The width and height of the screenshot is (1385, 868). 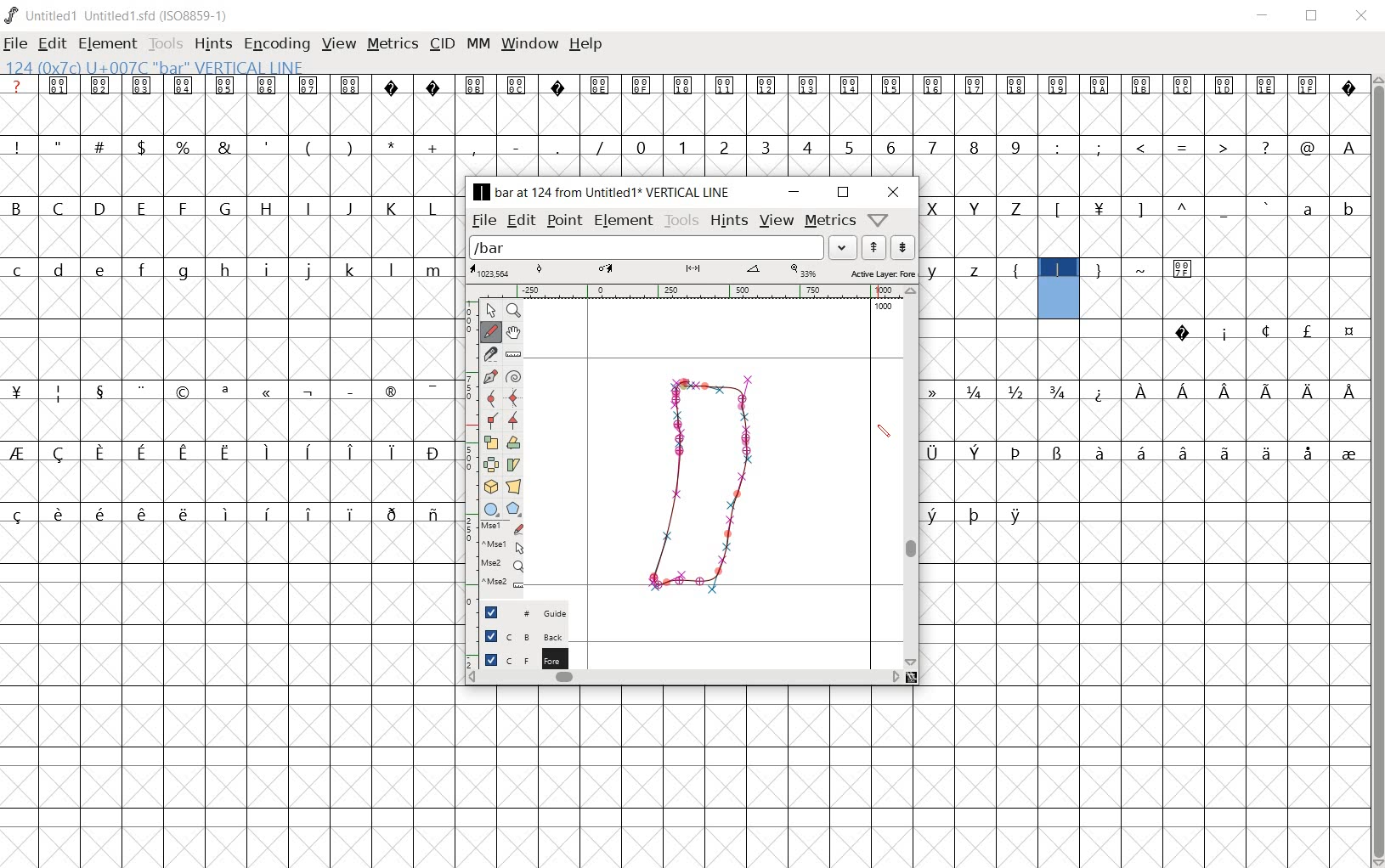 What do you see at coordinates (227, 207) in the screenshot?
I see `letters and symbols` at bounding box center [227, 207].